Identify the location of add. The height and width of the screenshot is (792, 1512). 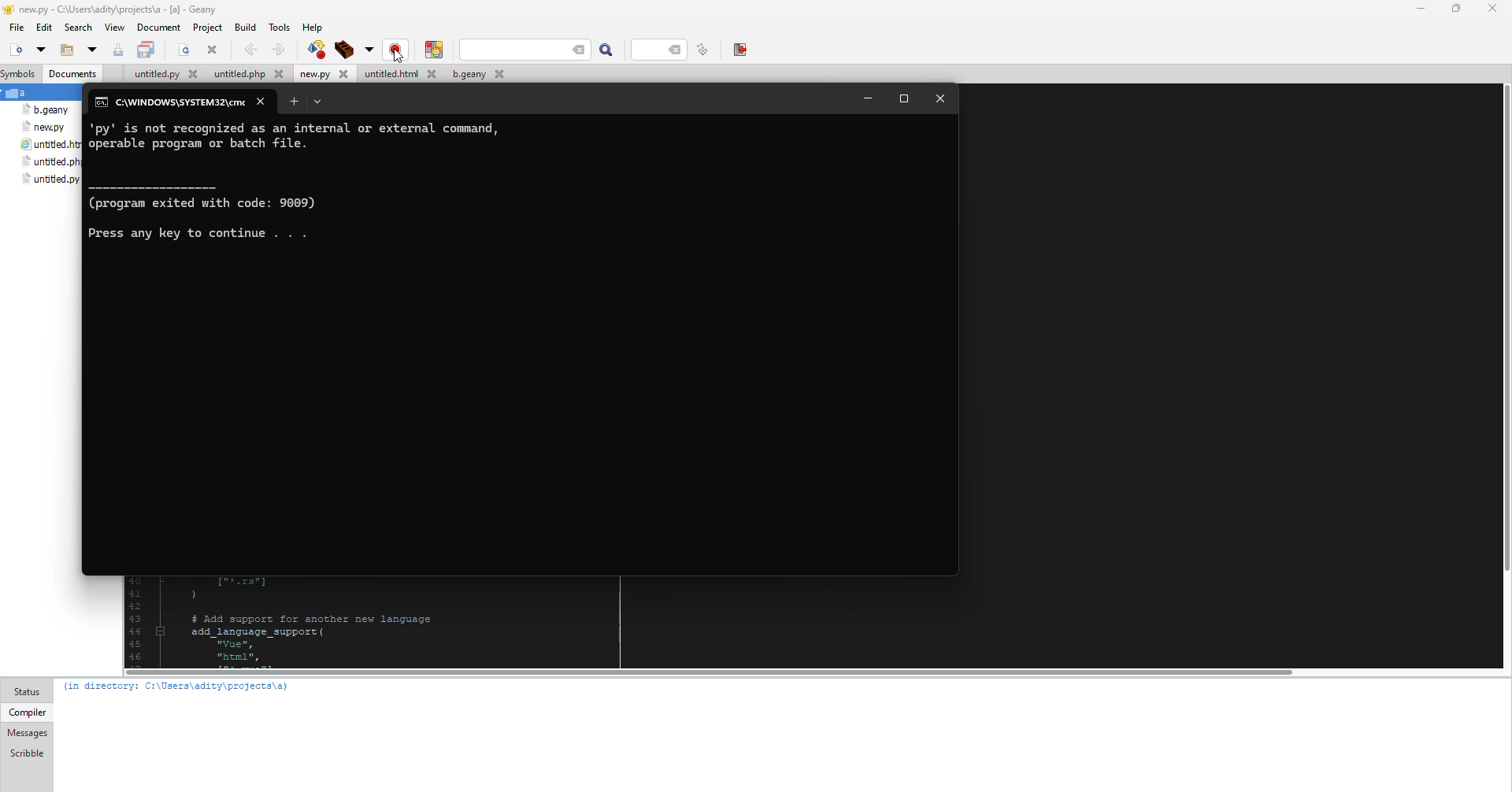
(295, 102).